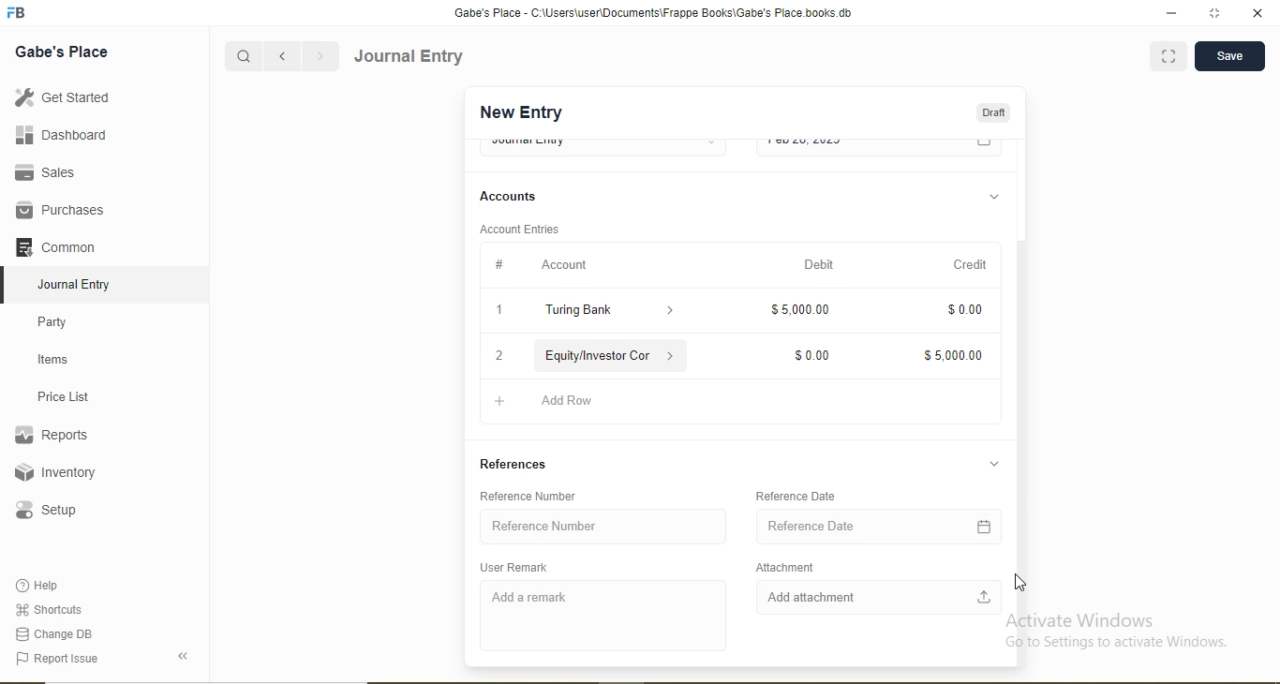 This screenshot has width=1280, height=684. I want to click on Accounts, so click(508, 196).